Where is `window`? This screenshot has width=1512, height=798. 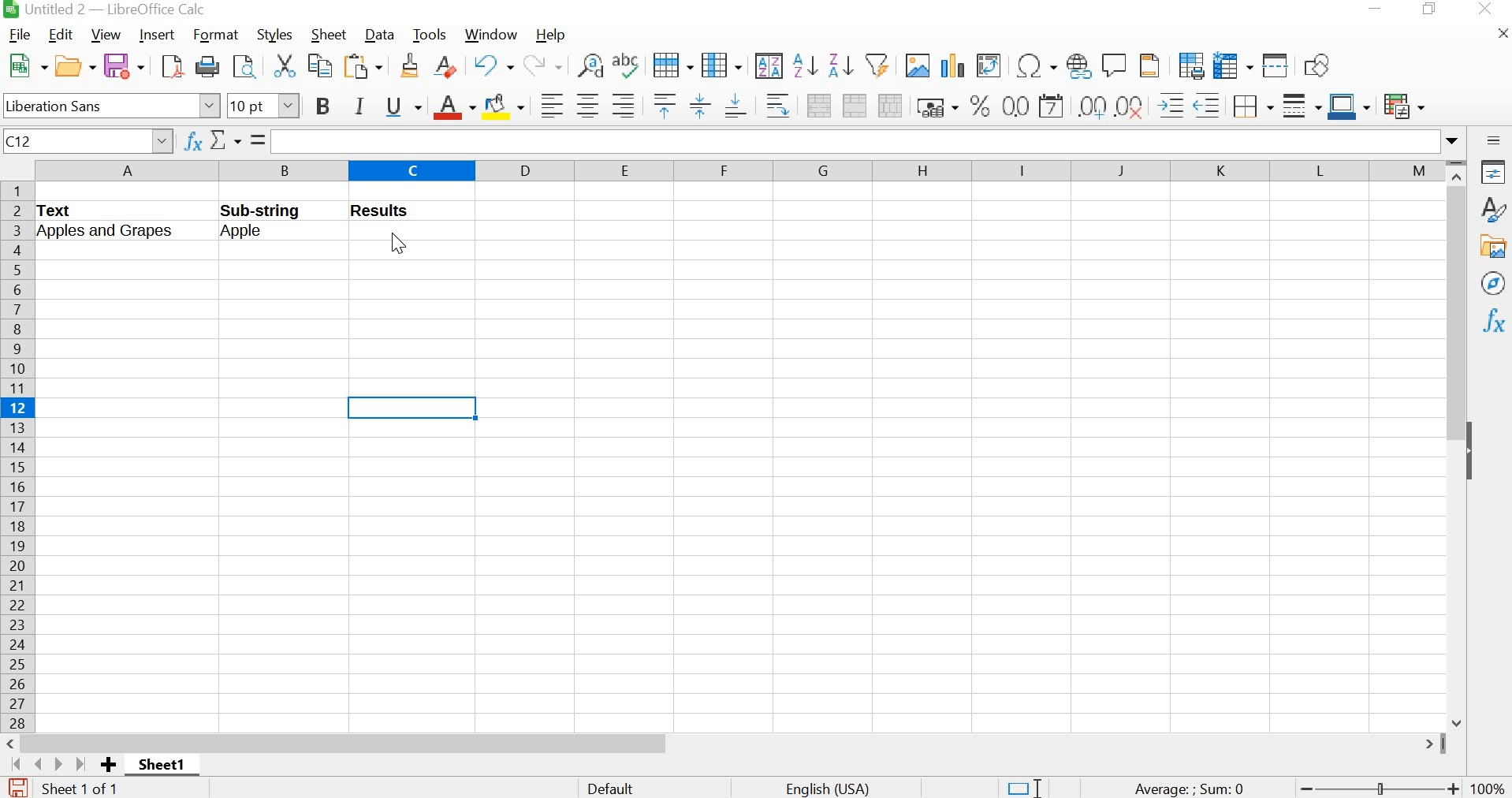 window is located at coordinates (493, 35).